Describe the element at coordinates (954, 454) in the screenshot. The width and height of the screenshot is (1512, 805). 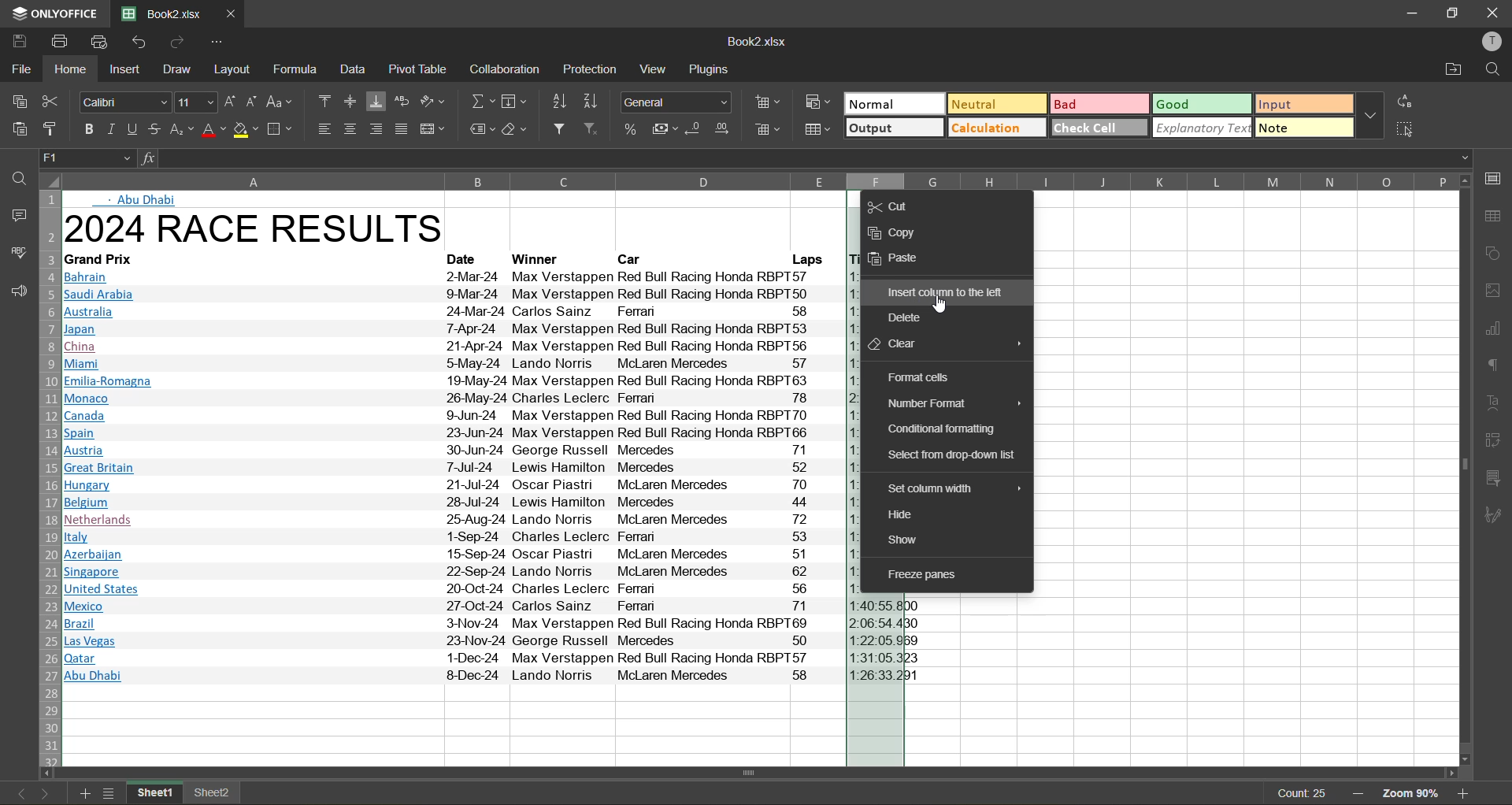
I see `select from drop-down list` at that location.